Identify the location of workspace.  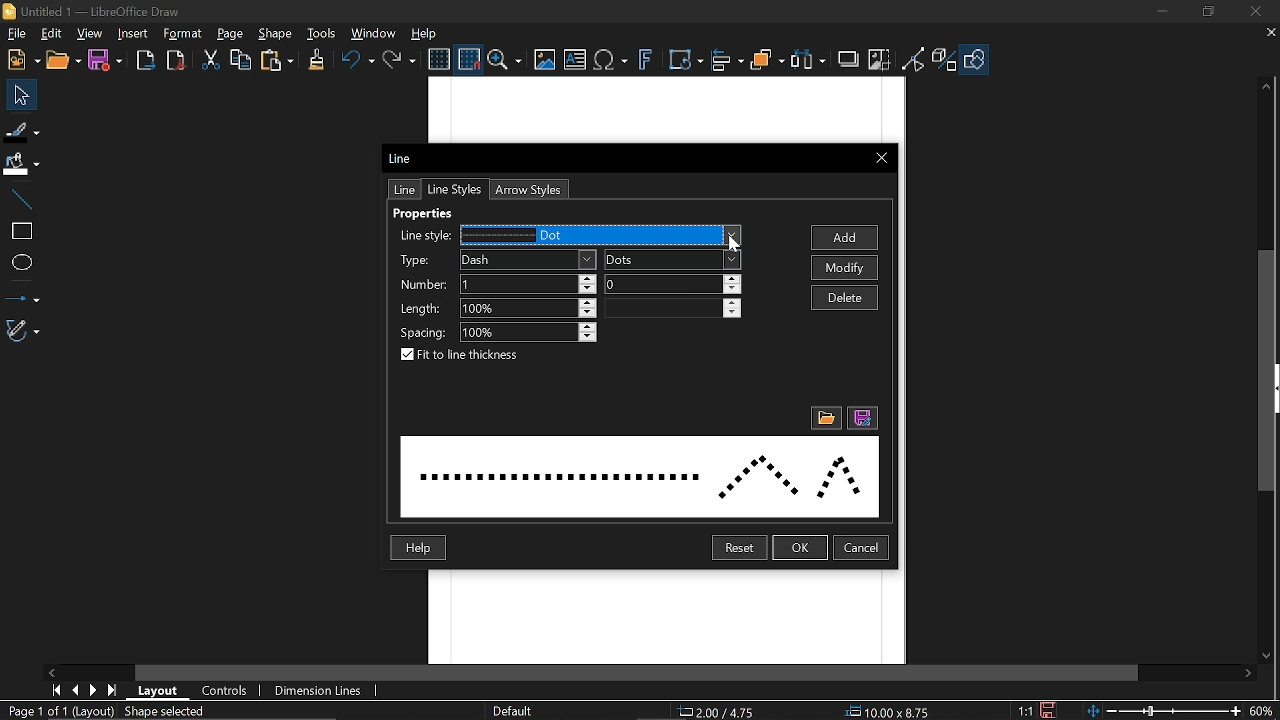
(665, 618).